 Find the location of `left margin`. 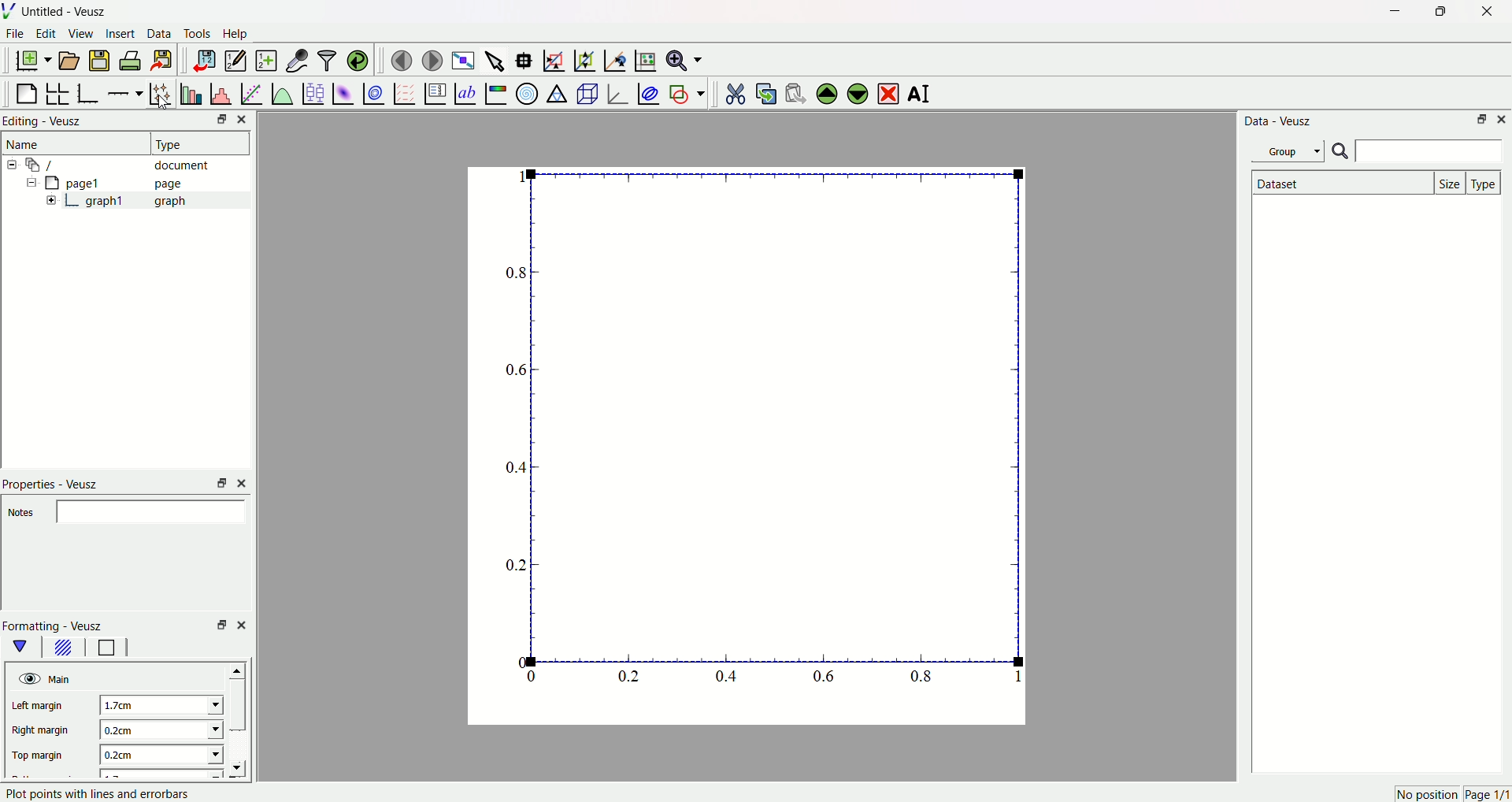

left margin is located at coordinates (42, 707).